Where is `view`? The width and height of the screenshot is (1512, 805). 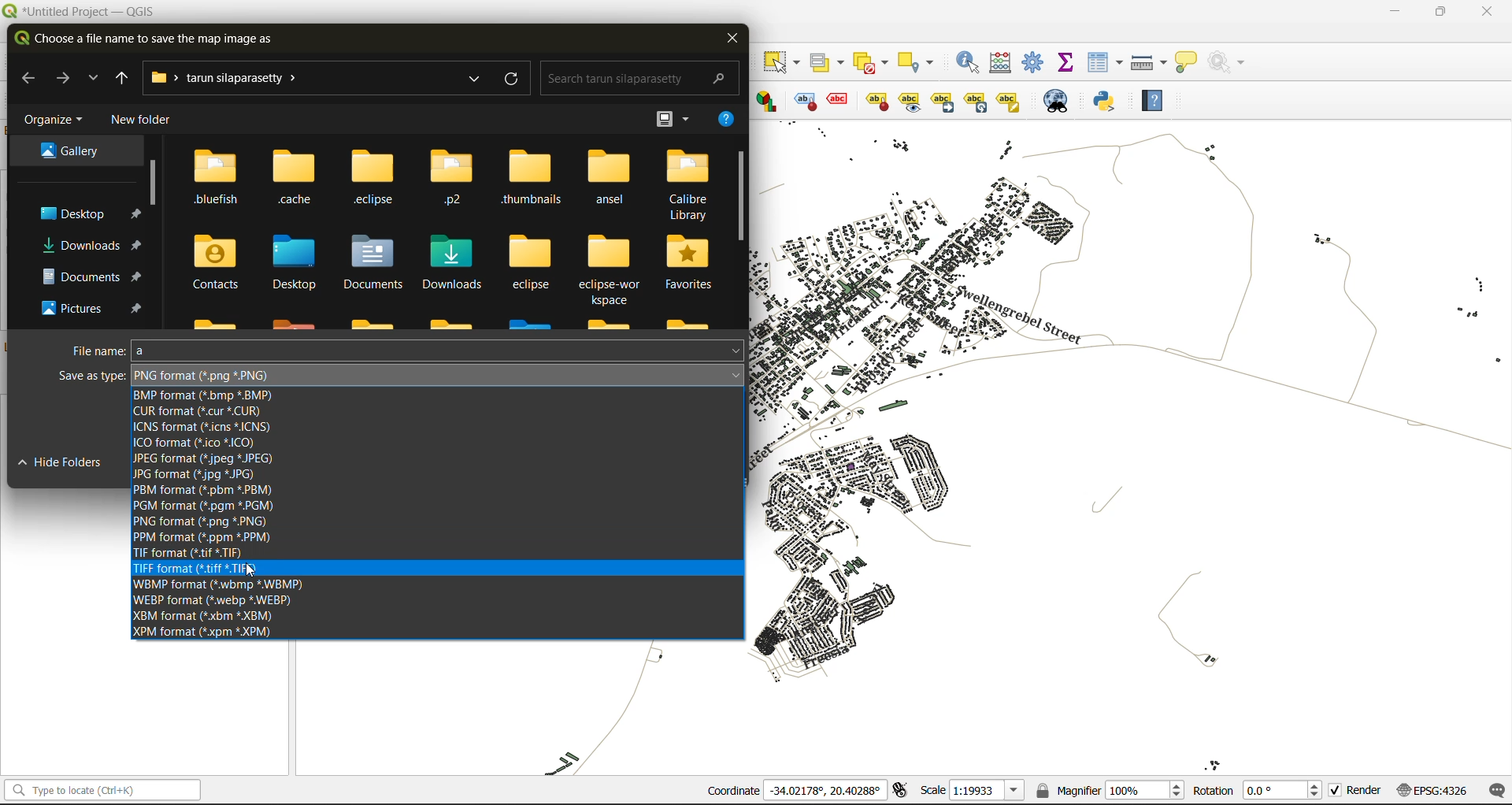
view is located at coordinates (673, 117).